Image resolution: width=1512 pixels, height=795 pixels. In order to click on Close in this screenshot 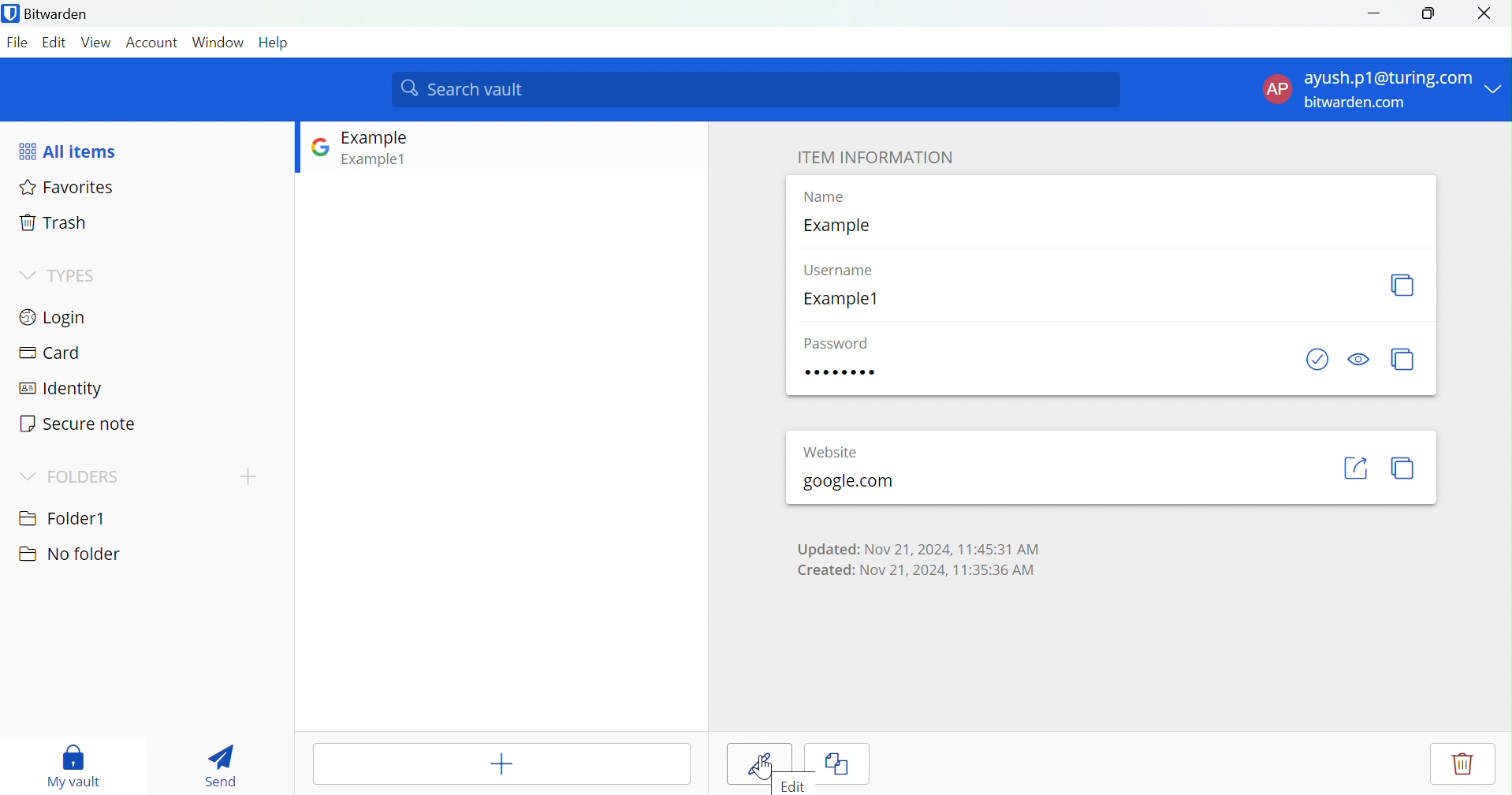, I will do `click(1490, 13)`.